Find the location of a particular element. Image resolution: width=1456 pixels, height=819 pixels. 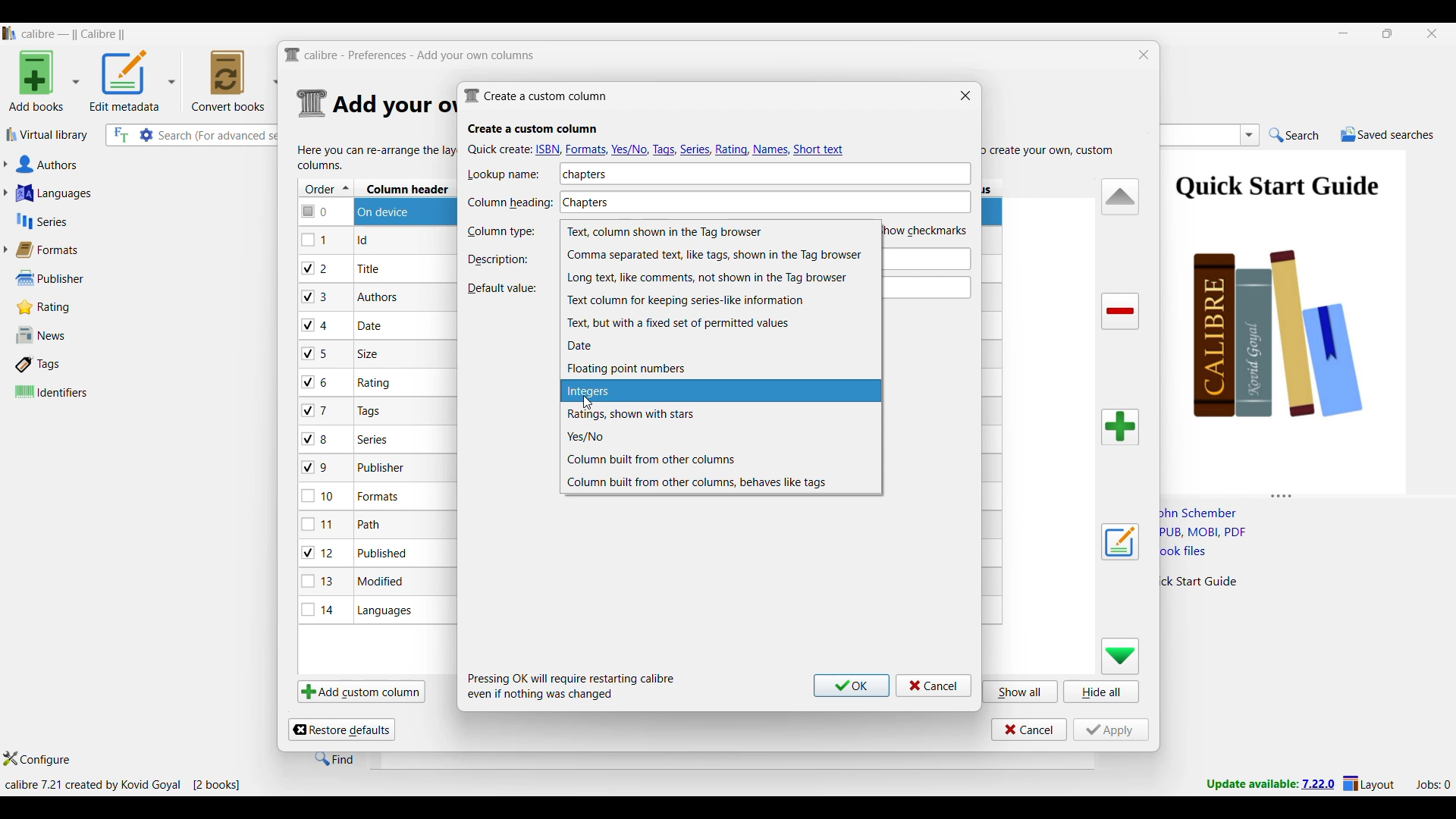

Delete column is located at coordinates (1121, 312).